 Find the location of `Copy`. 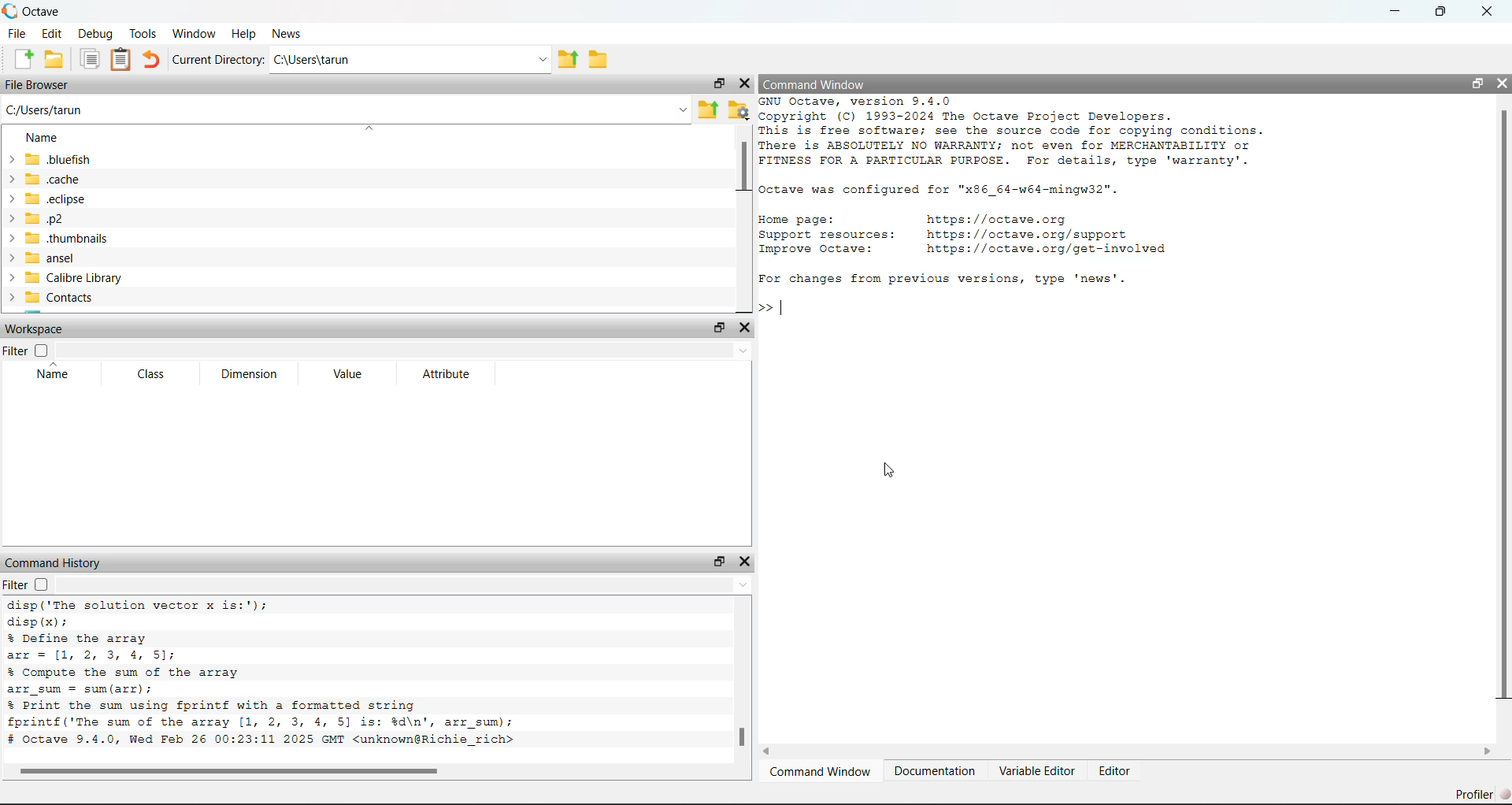

Copy is located at coordinates (91, 59).